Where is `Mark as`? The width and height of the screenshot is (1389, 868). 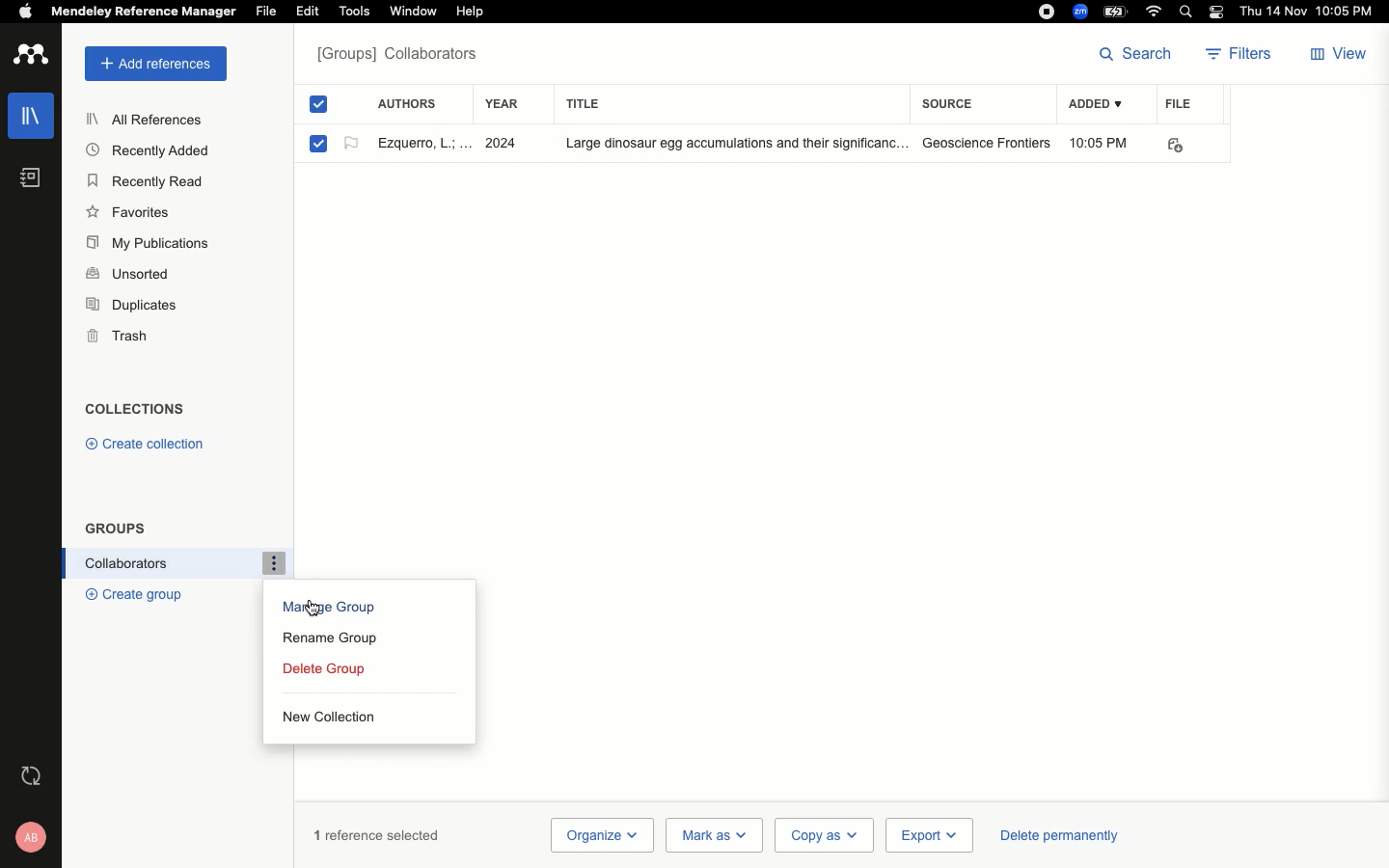
Mark as is located at coordinates (717, 833).